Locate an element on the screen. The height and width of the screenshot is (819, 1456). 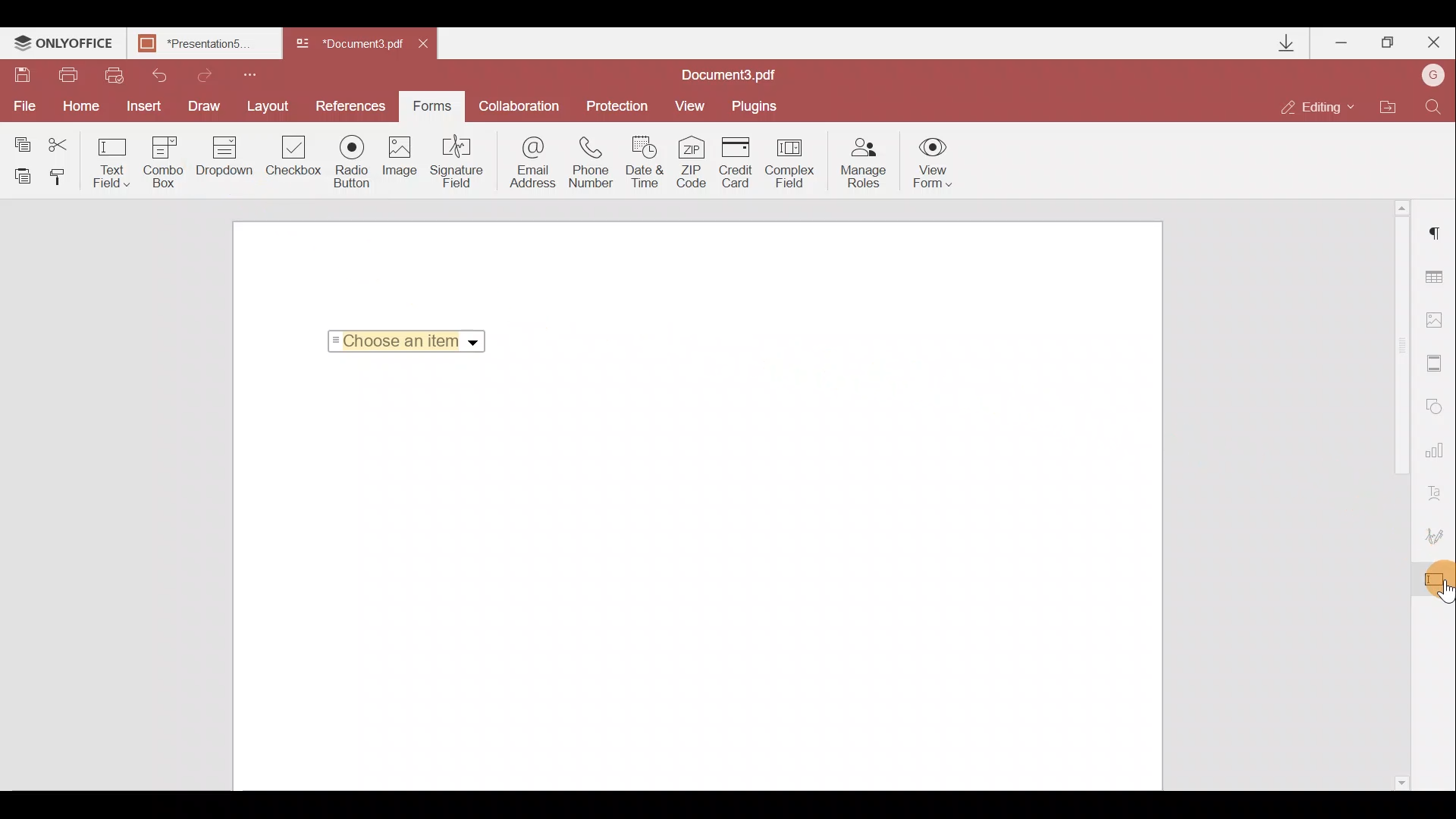
Find is located at coordinates (1436, 106).